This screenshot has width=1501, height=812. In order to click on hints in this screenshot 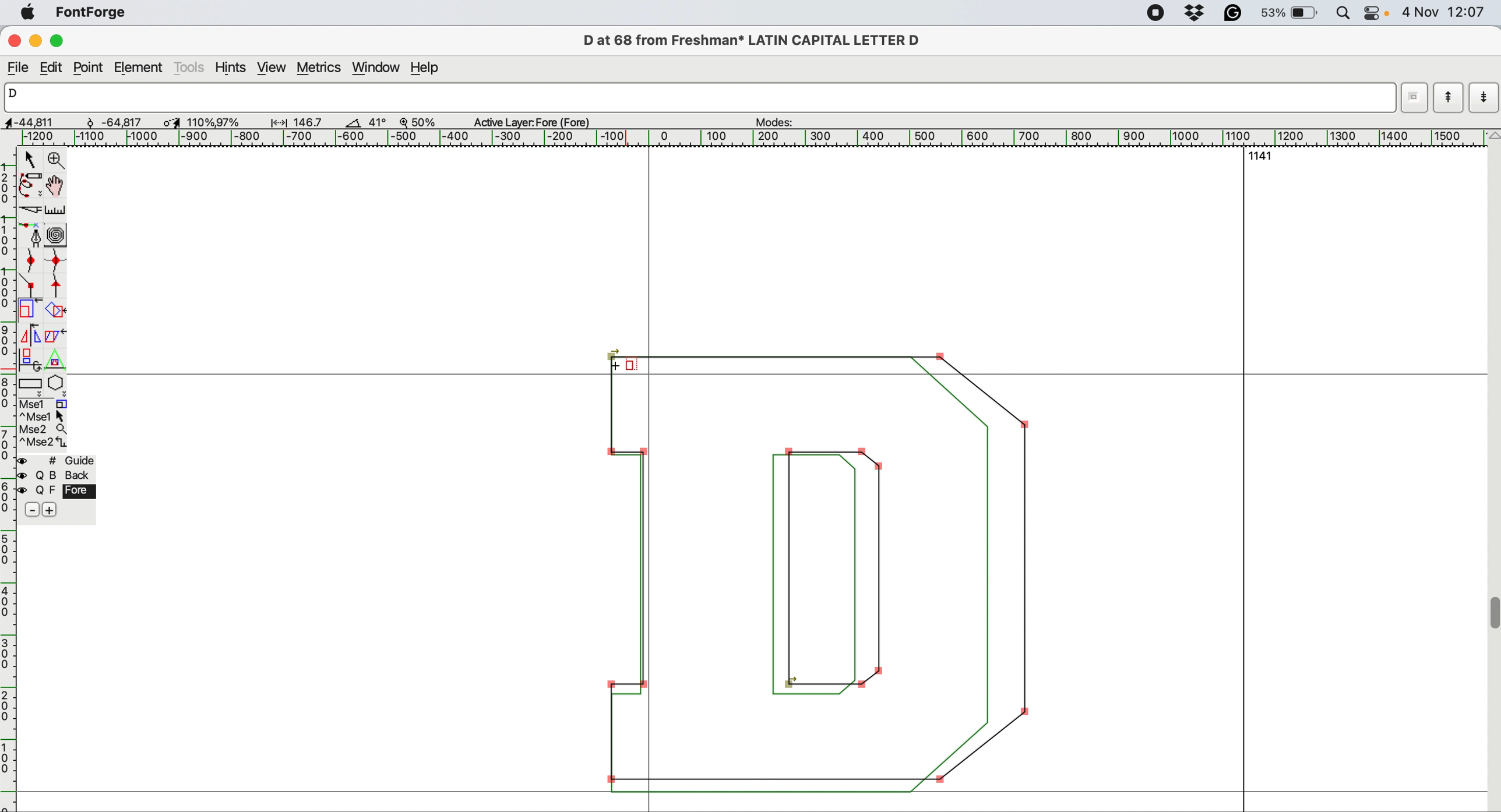, I will do `click(233, 69)`.